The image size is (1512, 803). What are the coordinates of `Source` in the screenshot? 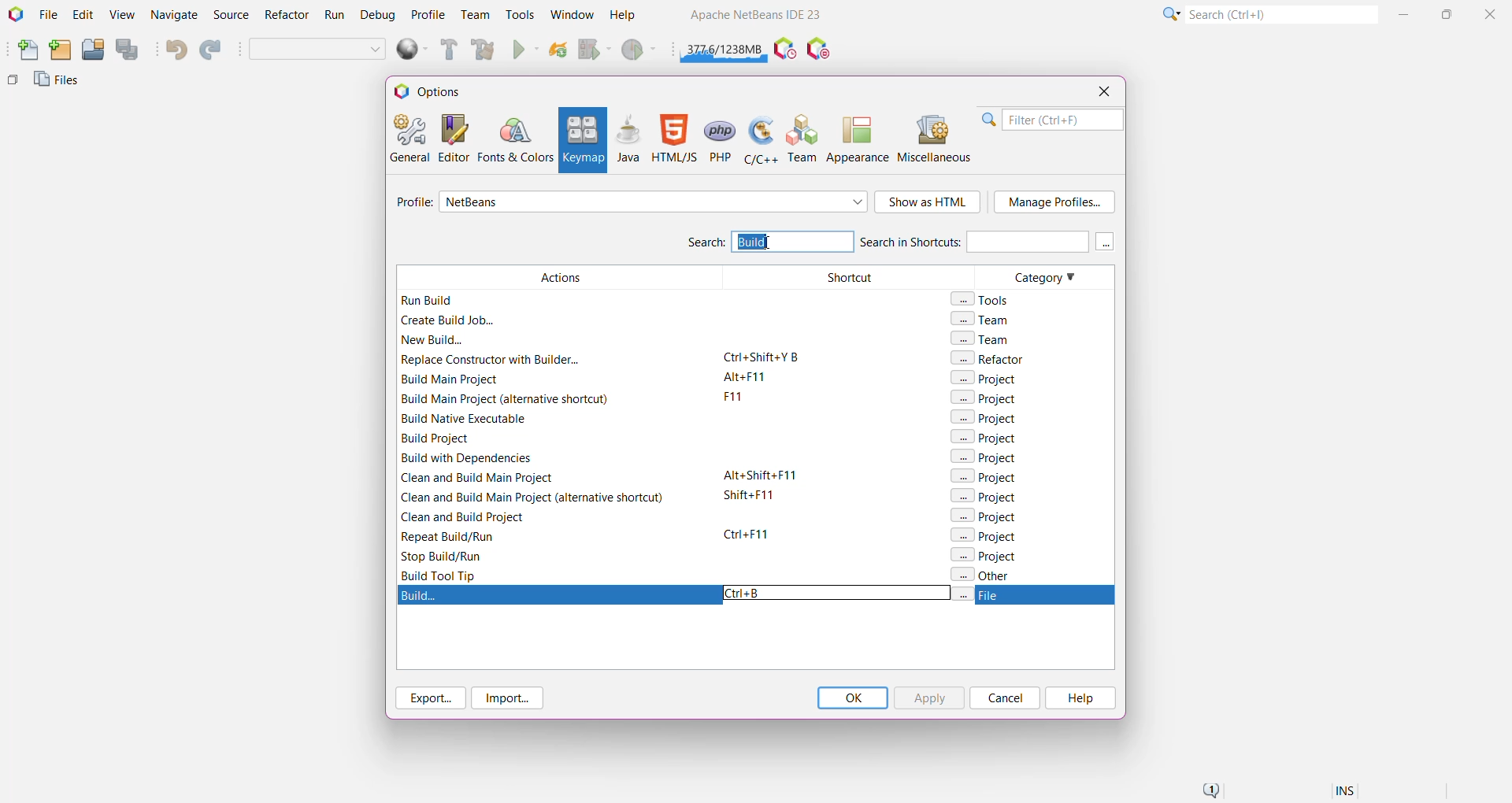 It's located at (233, 15).